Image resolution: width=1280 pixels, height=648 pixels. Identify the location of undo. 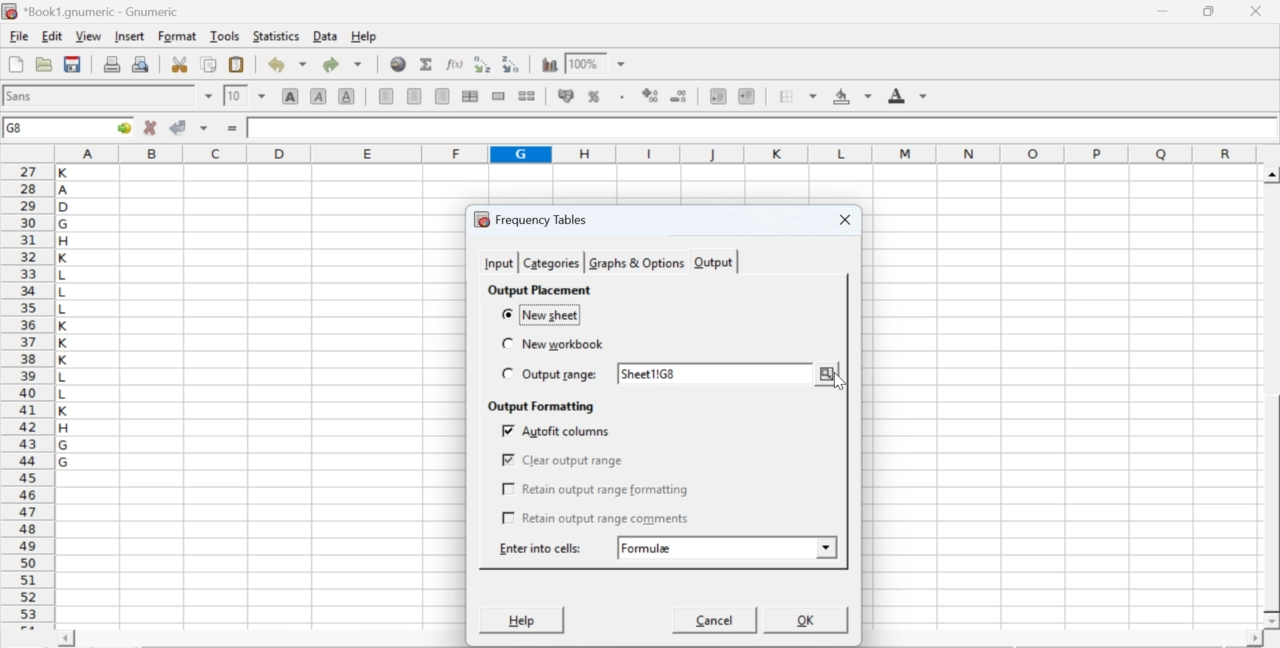
(286, 65).